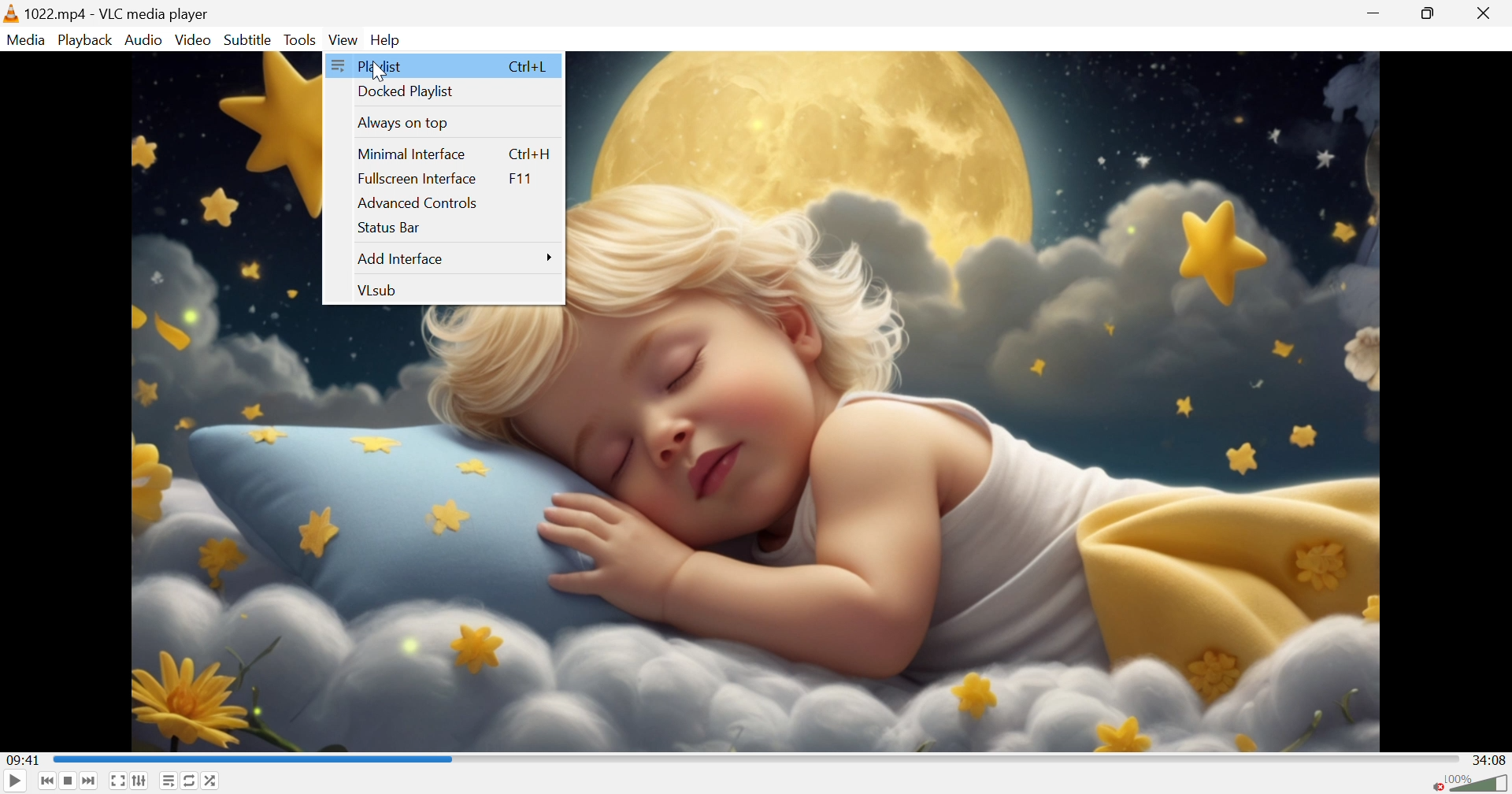 This screenshot has width=1512, height=794. Describe the element at coordinates (454, 259) in the screenshot. I see `Add Interface` at that location.